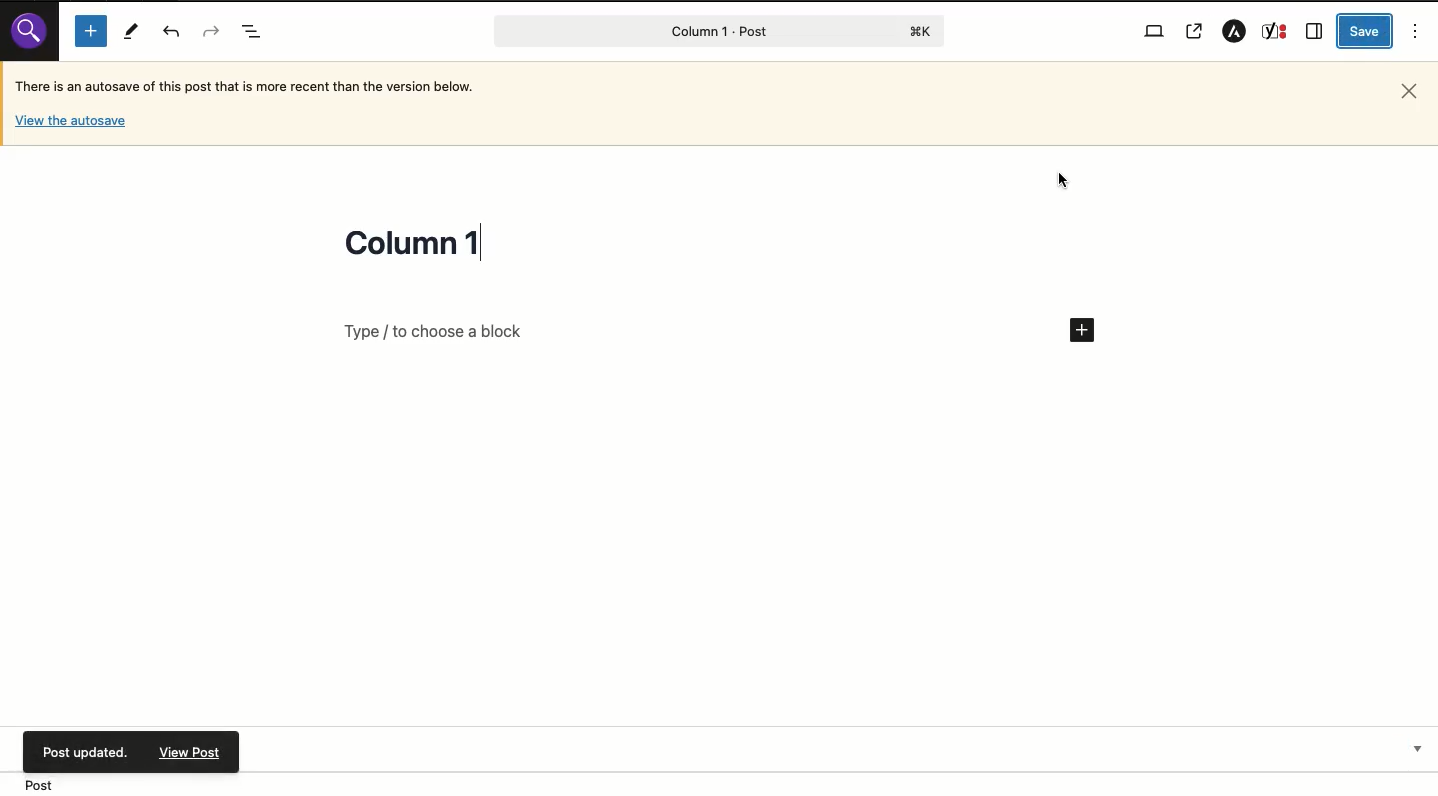  I want to click on Autosave, so click(269, 85).